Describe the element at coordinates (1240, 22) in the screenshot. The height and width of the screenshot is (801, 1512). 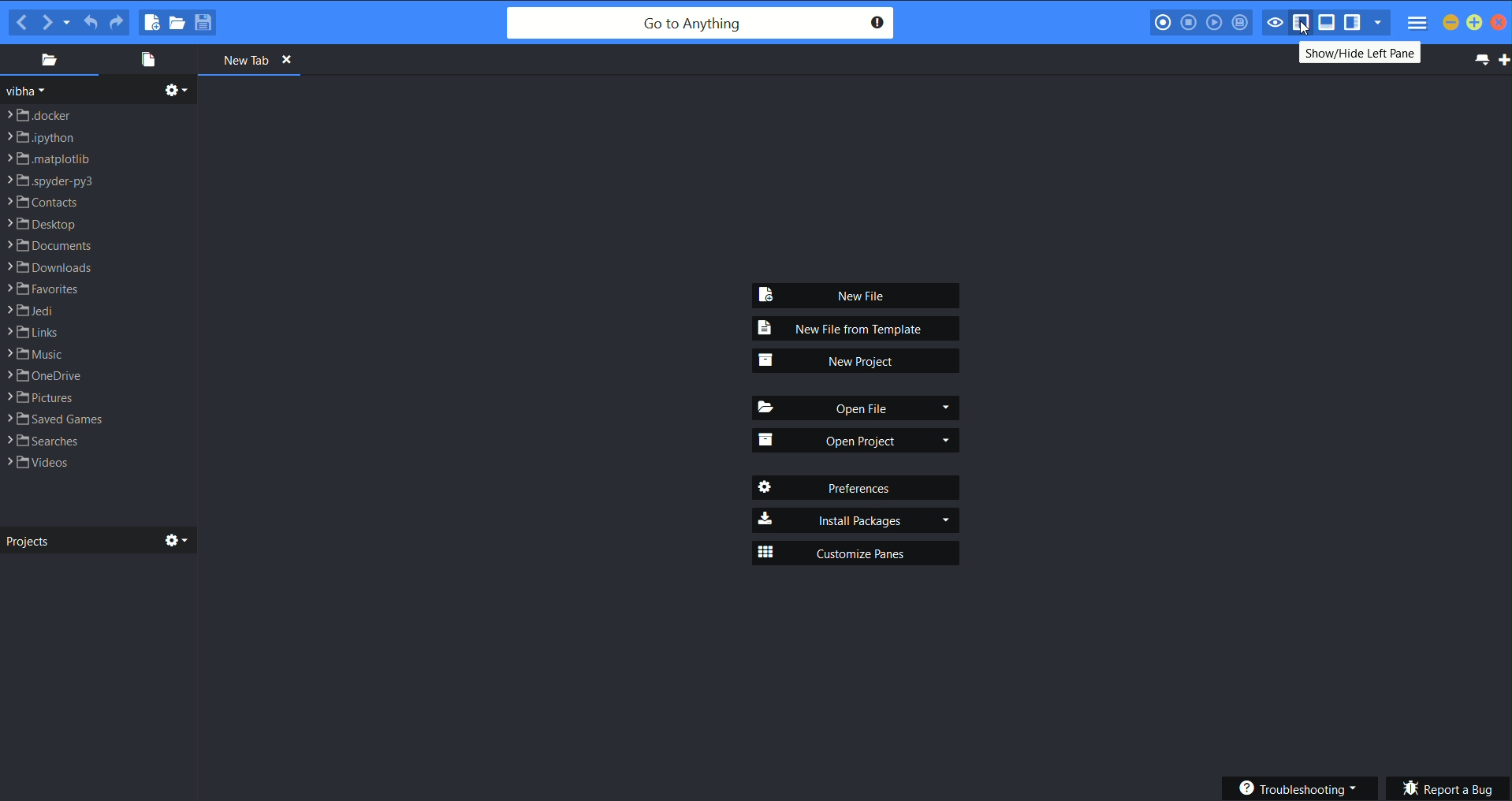
I see `save macro to toolbox` at that location.